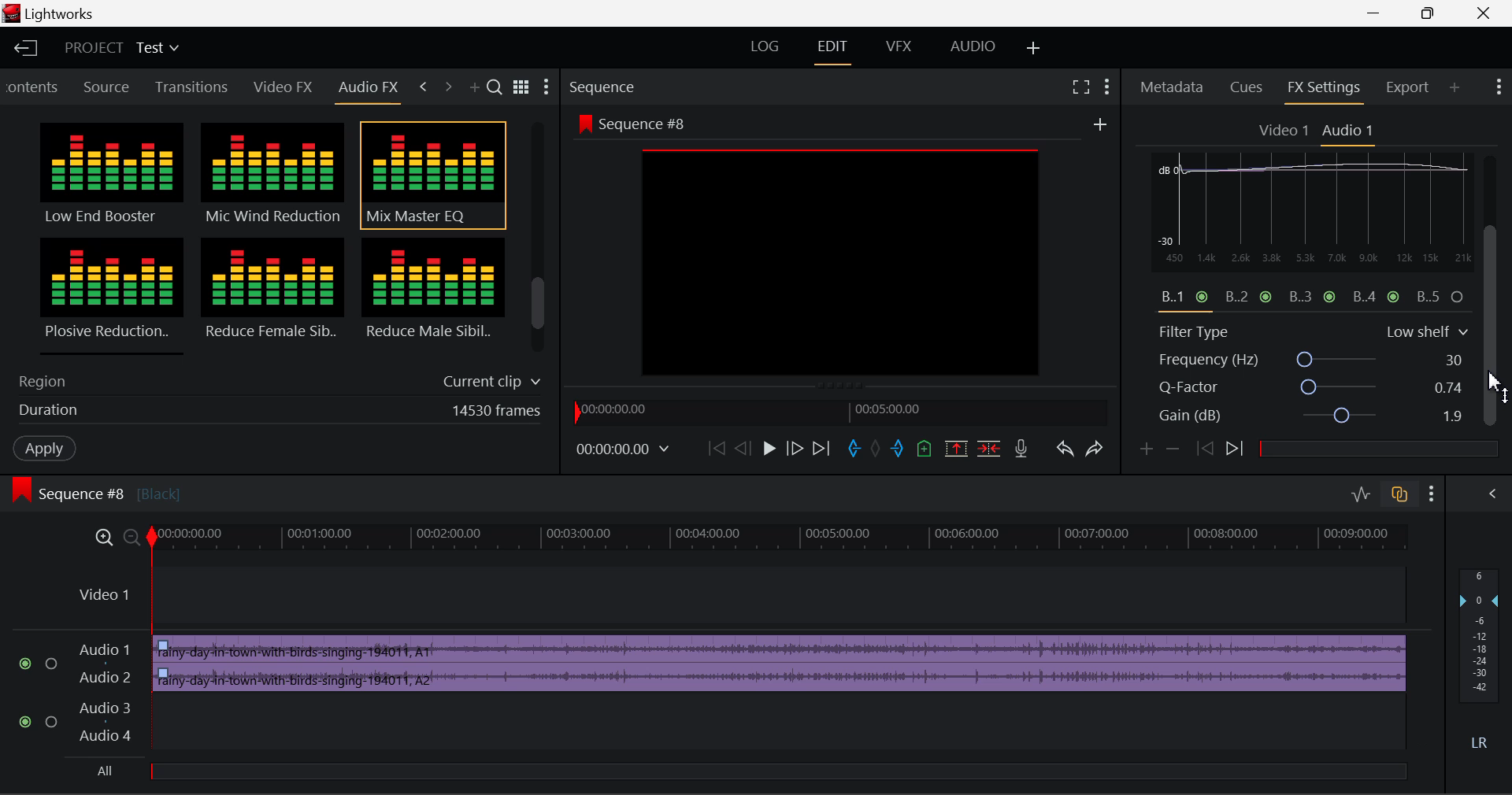 This screenshot has height=795, width=1512. I want to click on MOUSE_DOWN Cursor Position, so click(1496, 242).